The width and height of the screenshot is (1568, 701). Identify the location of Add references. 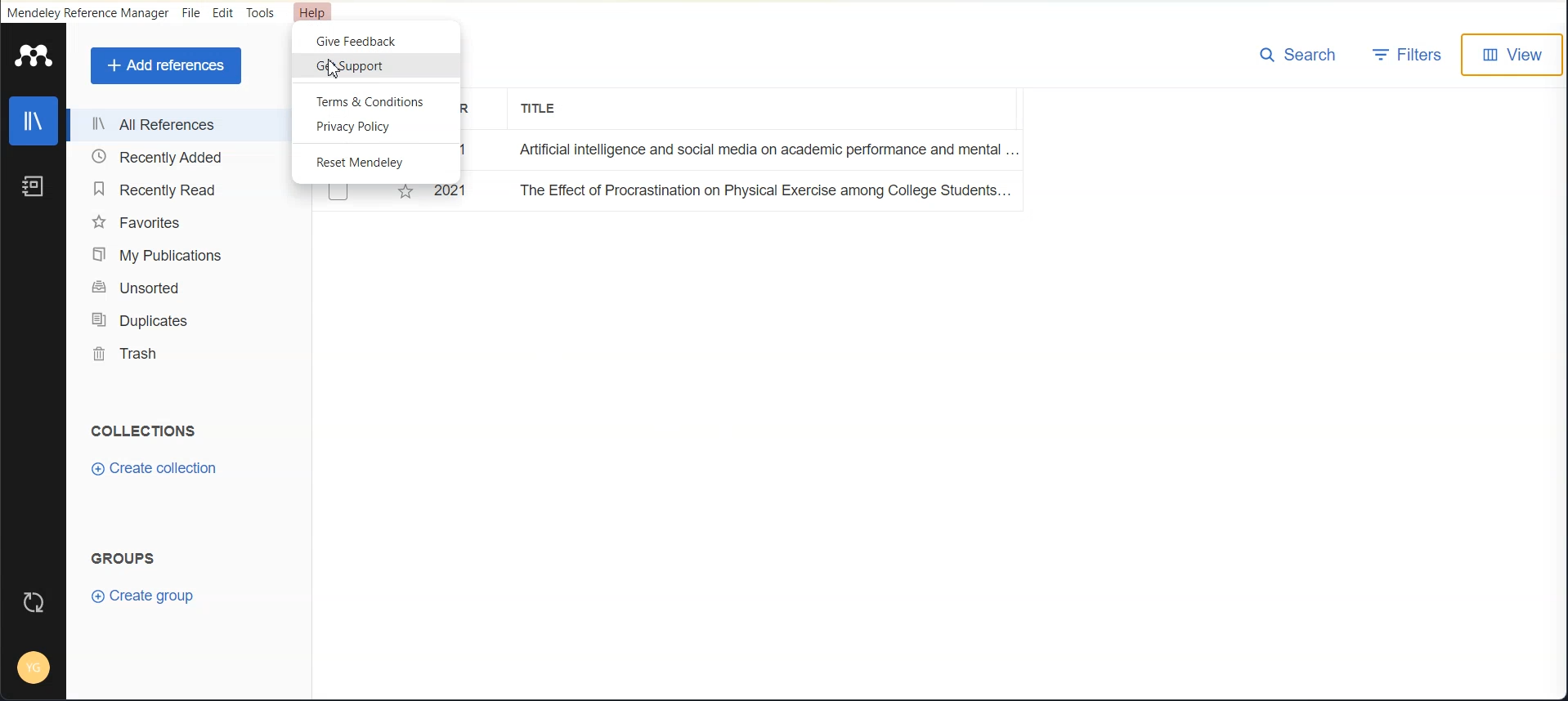
(165, 65).